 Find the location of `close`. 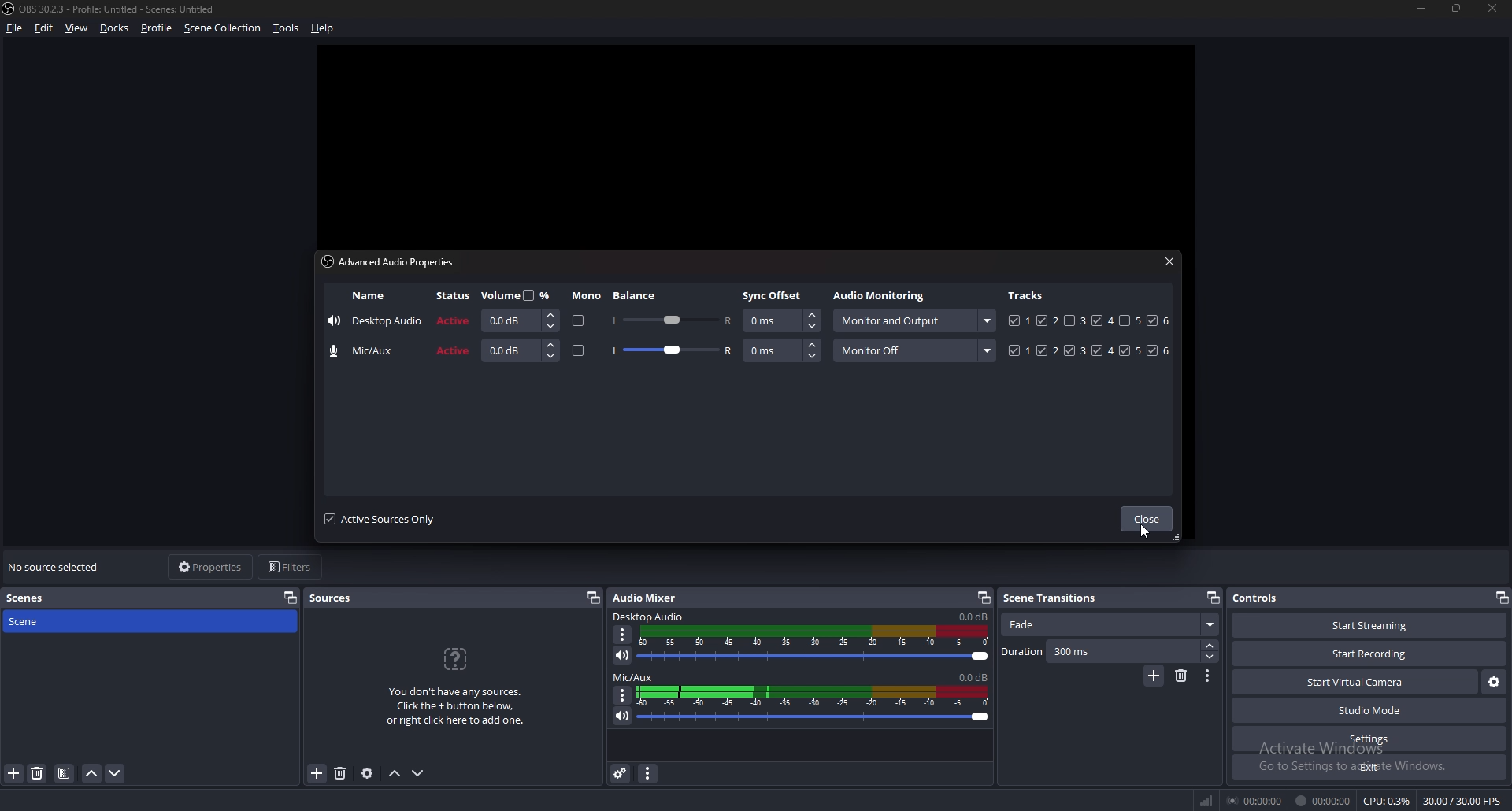

close is located at coordinates (1494, 9).